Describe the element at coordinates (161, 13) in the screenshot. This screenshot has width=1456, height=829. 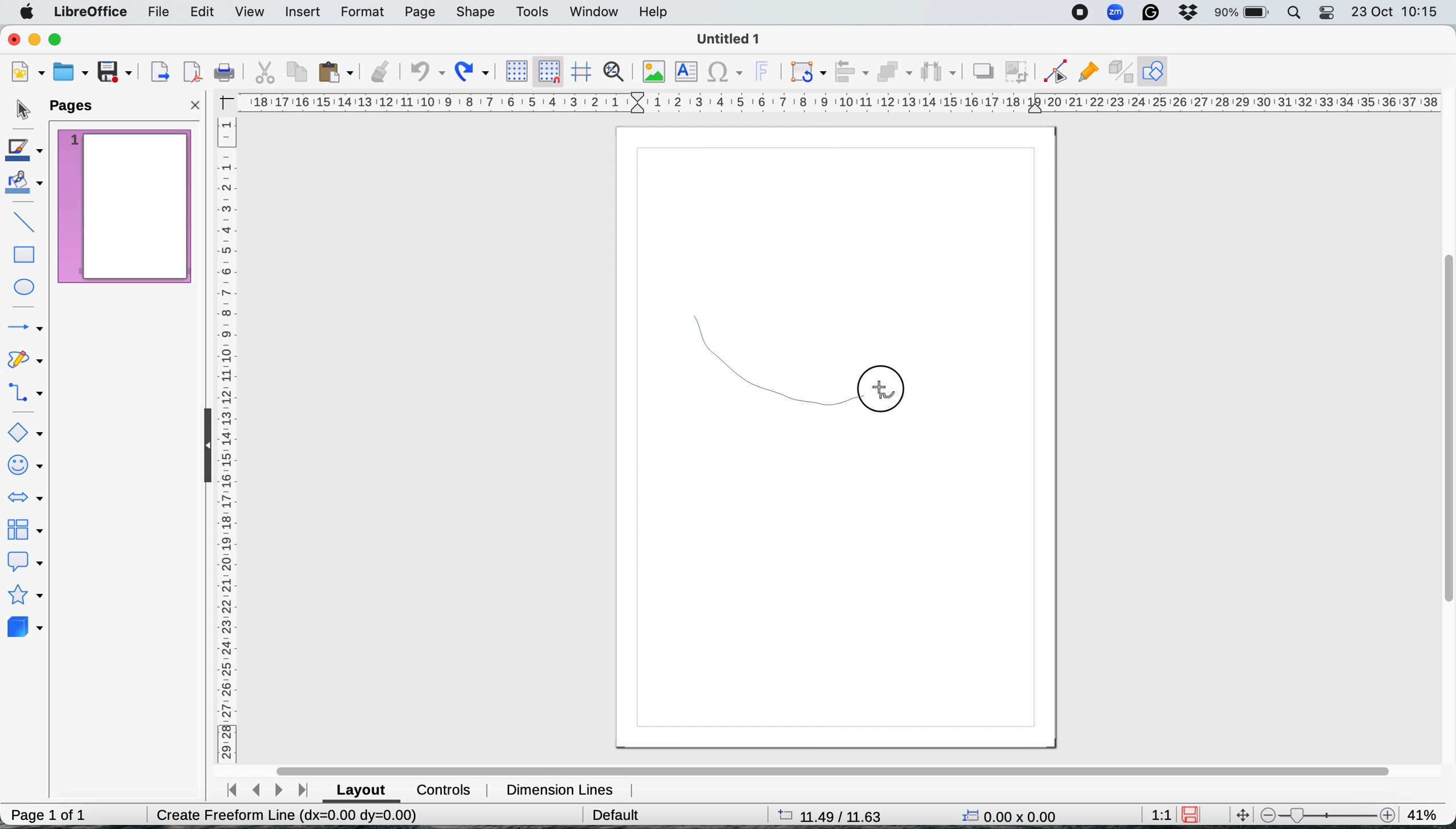
I see `file` at that location.